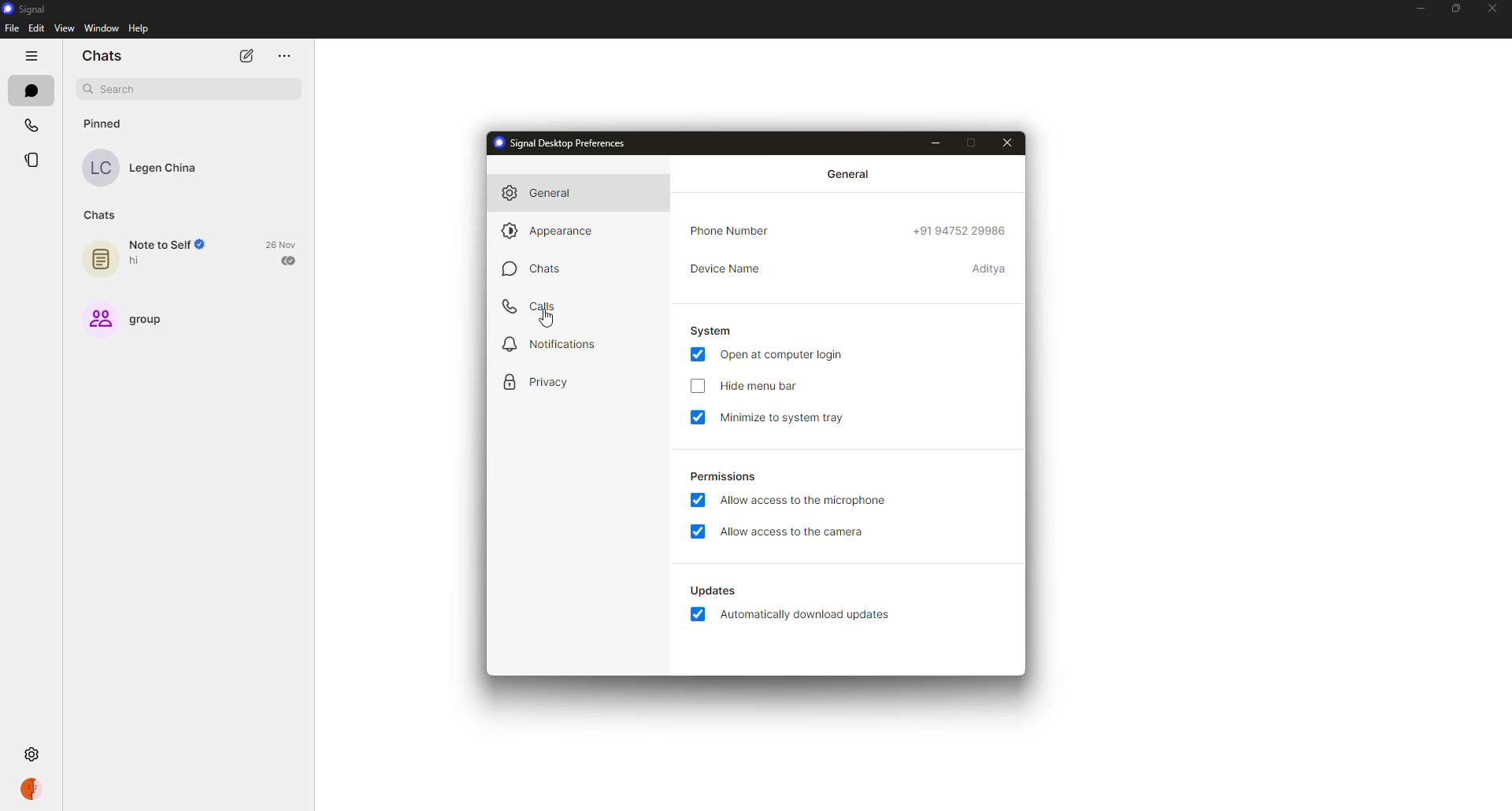 This screenshot has height=811, width=1512. I want to click on note to self, so click(149, 257).